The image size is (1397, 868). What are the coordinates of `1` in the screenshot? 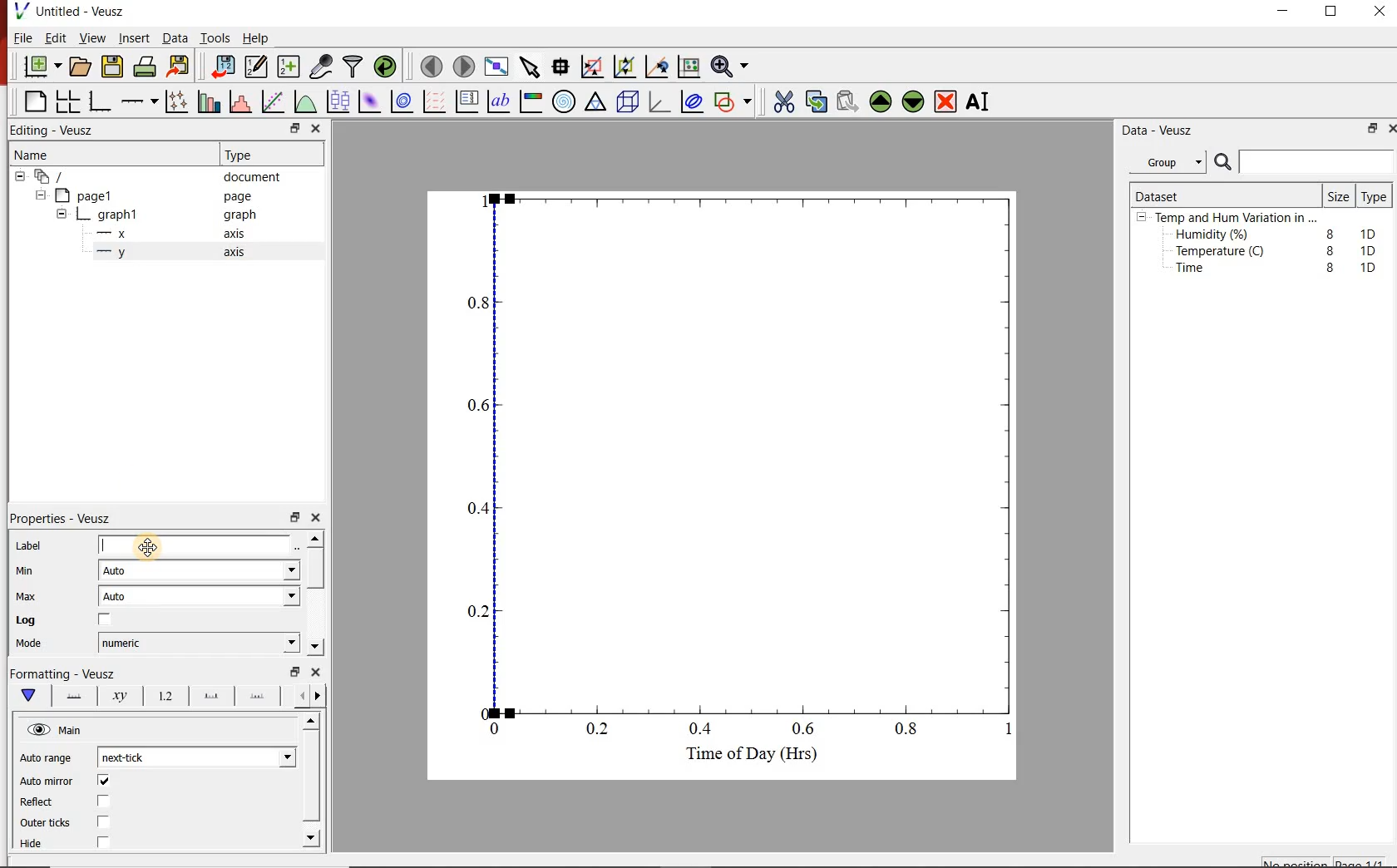 It's located at (1003, 732).